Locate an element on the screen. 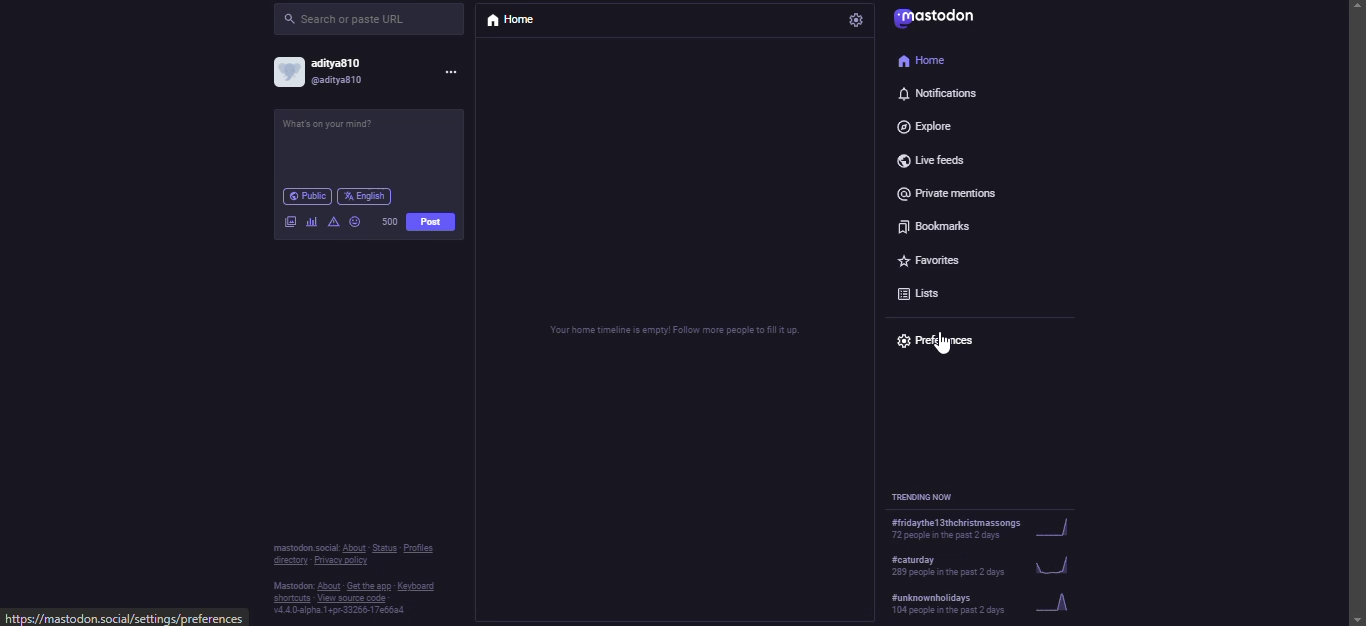  trending is located at coordinates (927, 495).